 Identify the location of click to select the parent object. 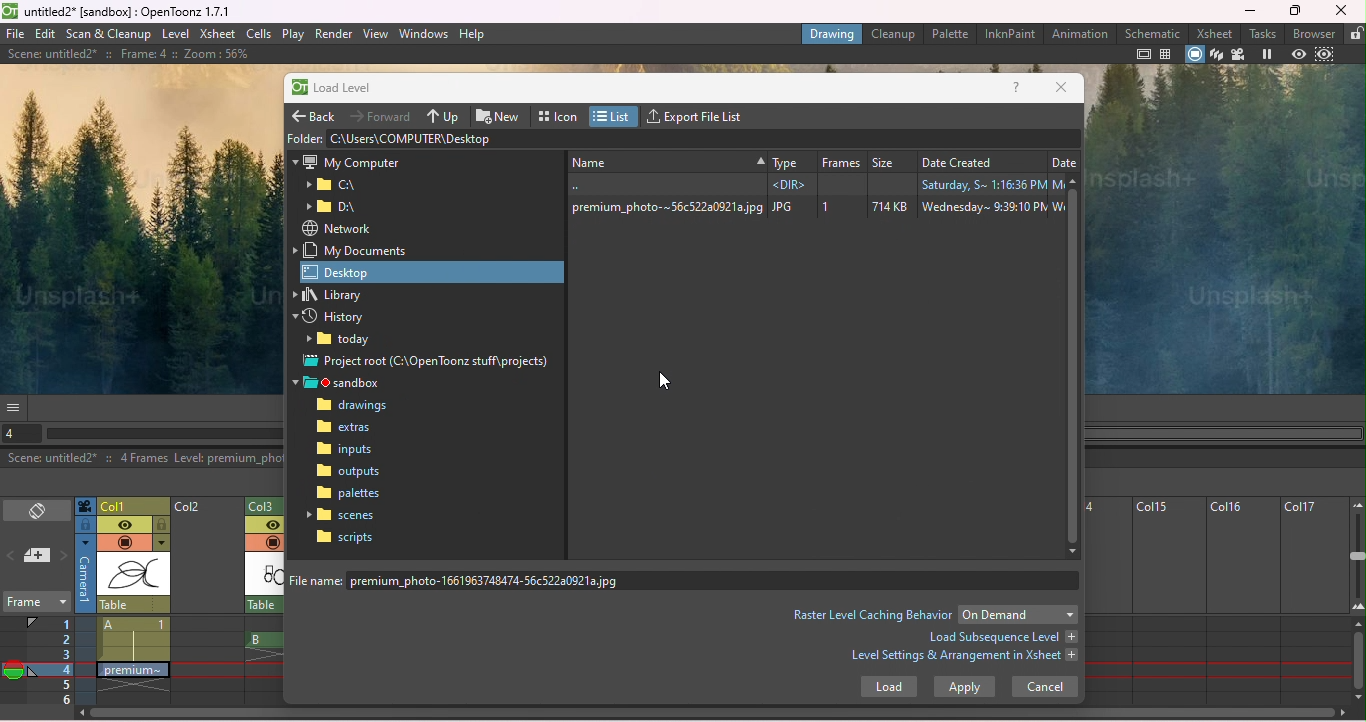
(134, 605).